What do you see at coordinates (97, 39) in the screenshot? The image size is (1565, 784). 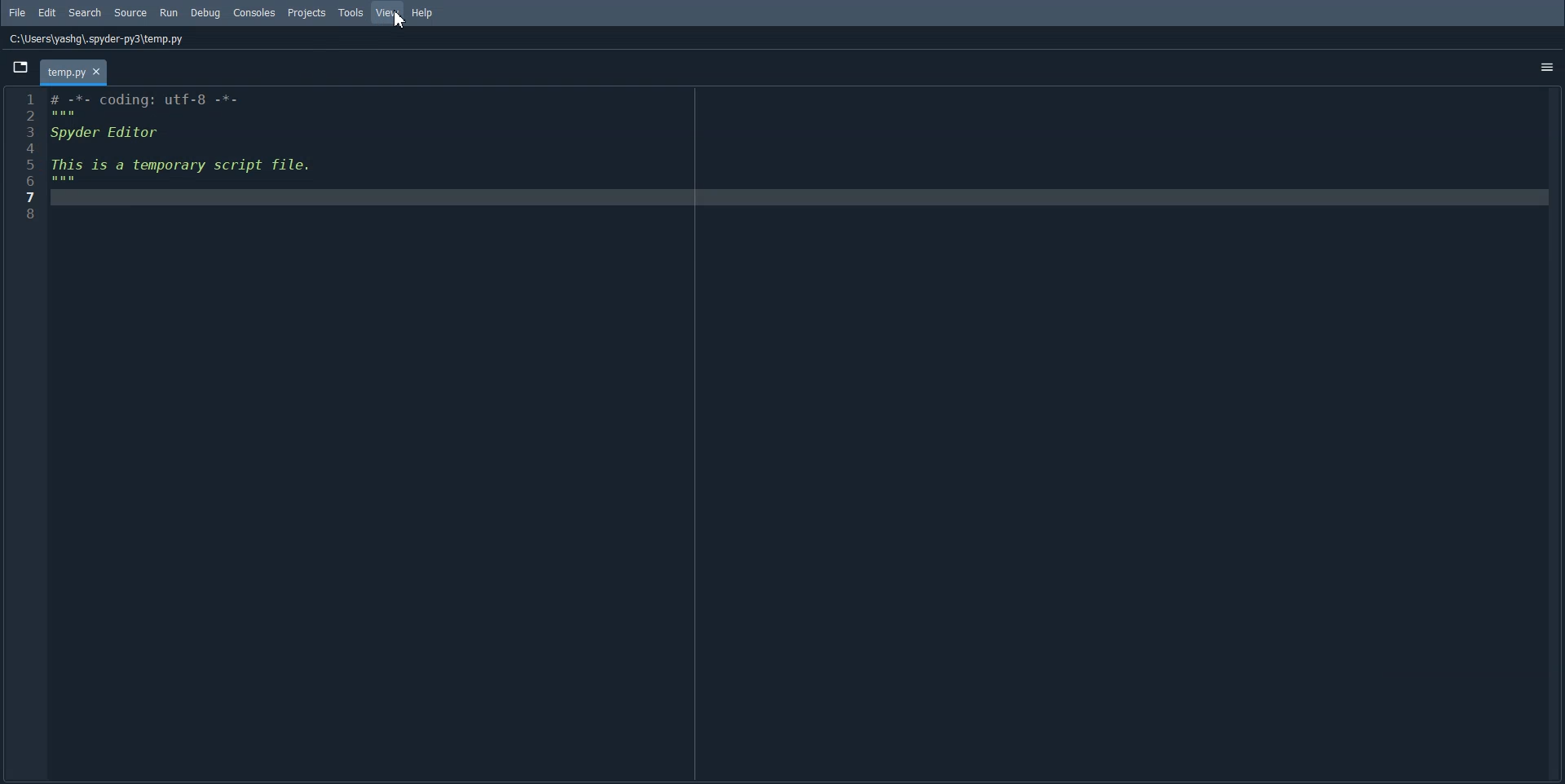 I see `File path address` at bounding box center [97, 39].